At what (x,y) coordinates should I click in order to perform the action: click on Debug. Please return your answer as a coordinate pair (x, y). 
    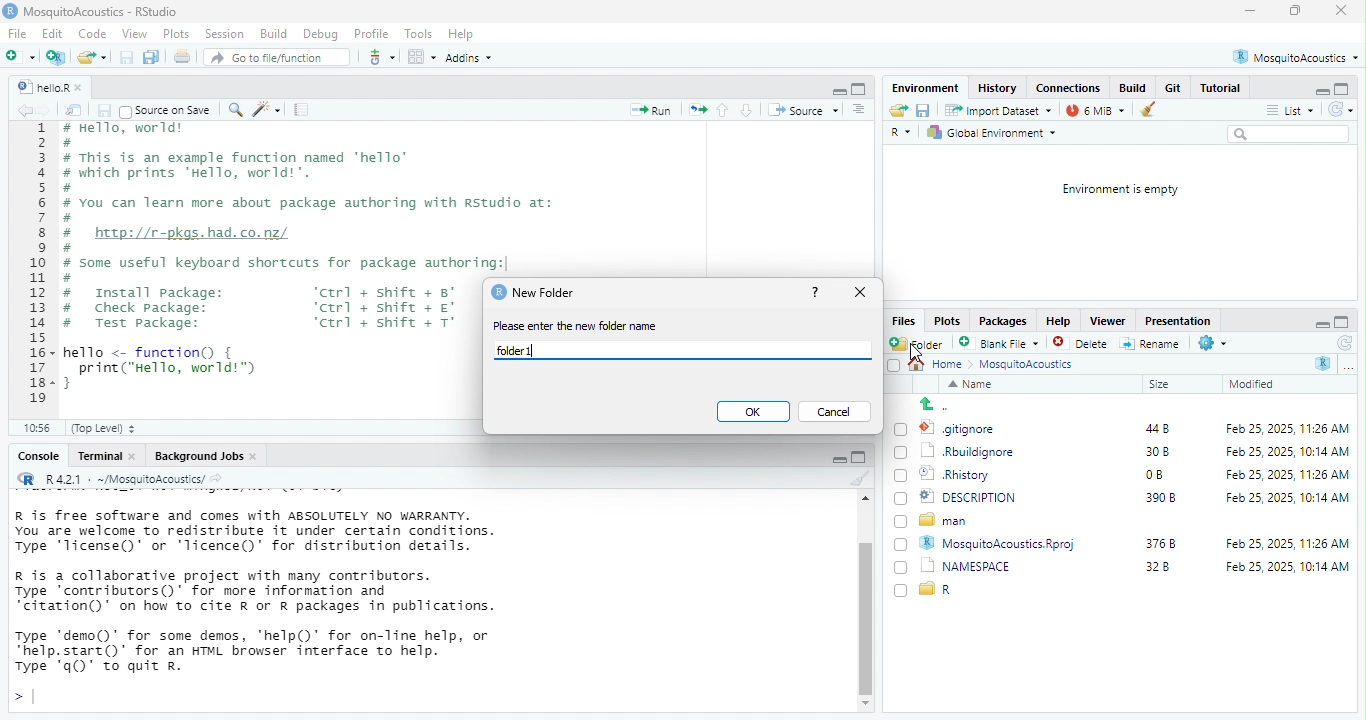
    Looking at the image, I should click on (321, 33).